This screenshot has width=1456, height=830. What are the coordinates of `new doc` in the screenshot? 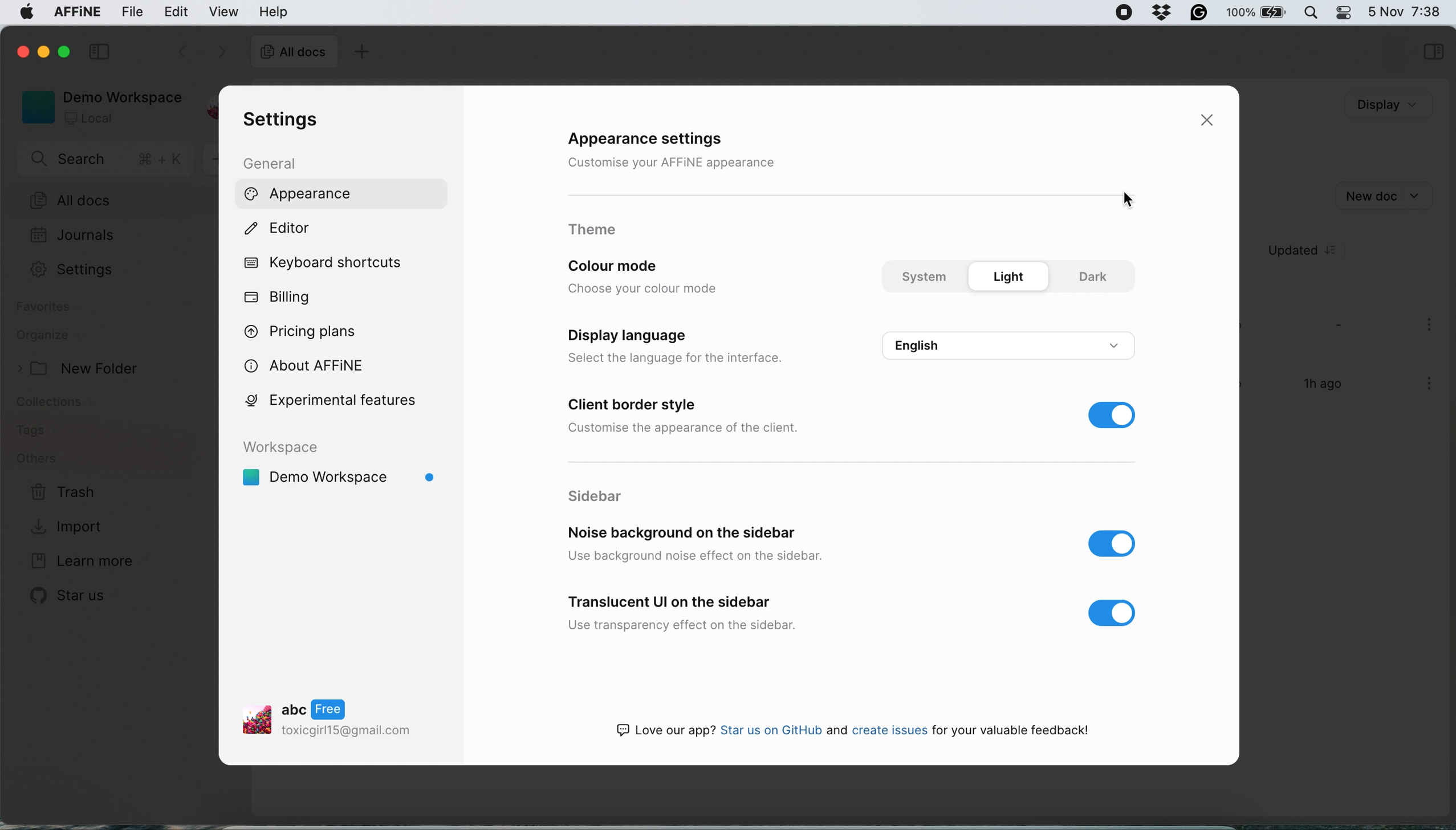 It's located at (1386, 196).